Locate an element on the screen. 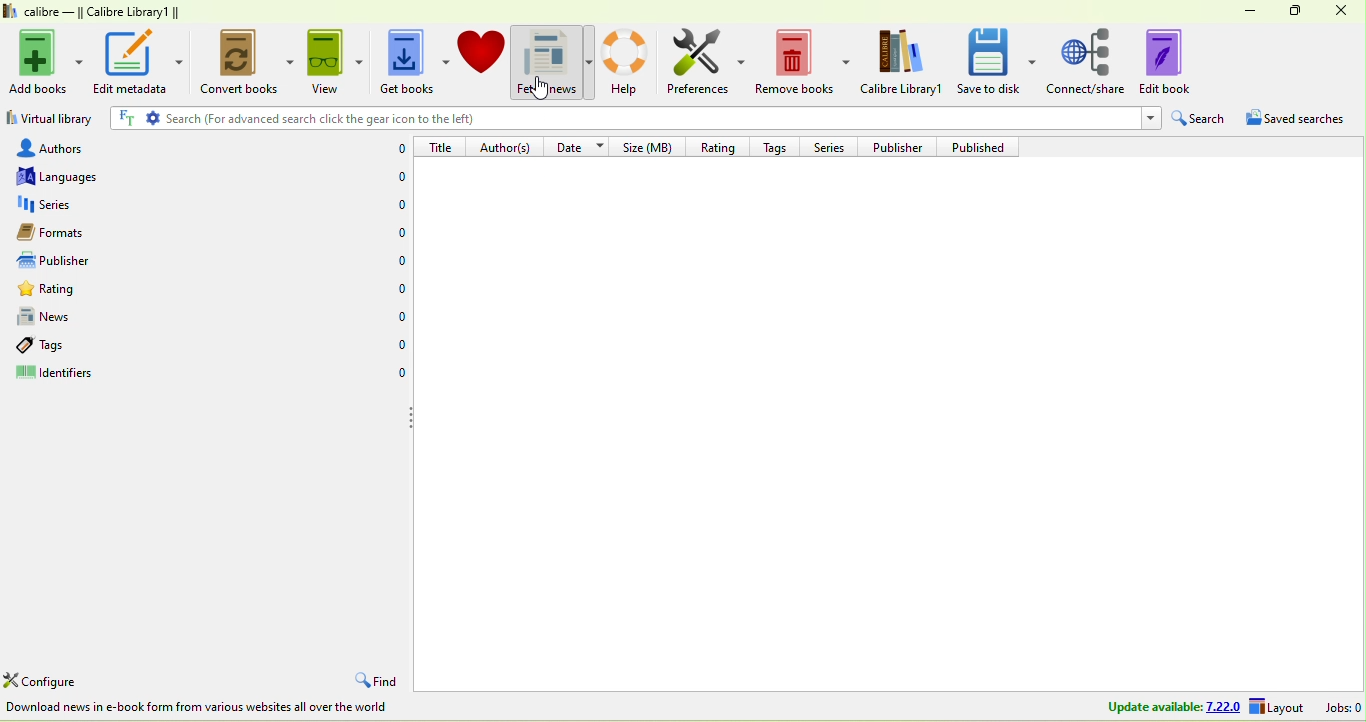  minimize is located at coordinates (1254, 11).